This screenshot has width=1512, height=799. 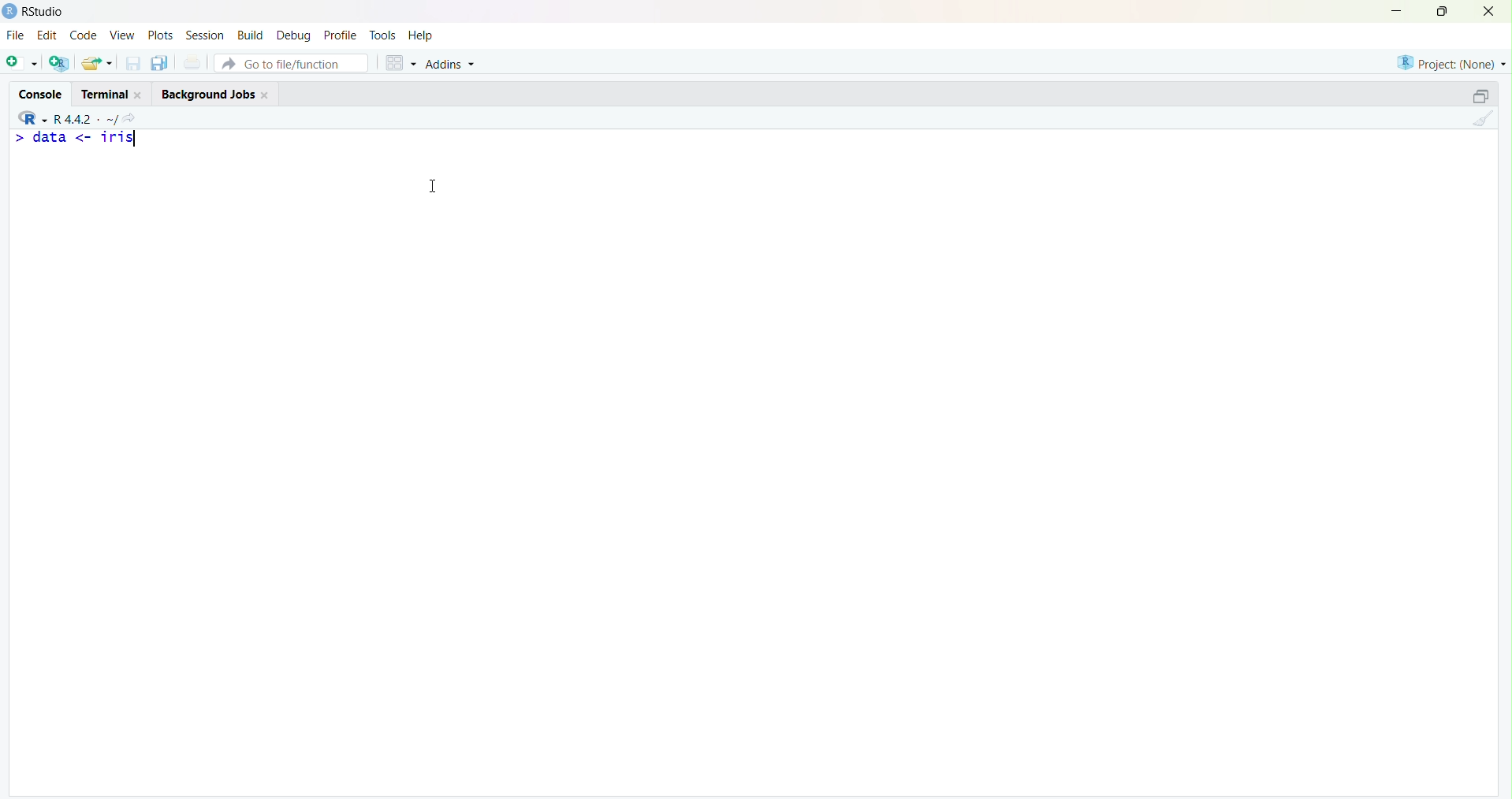 What do you see at coordinates (60, 61) in the screenshot?
I see `Create a project` at bounding box center [60, 61].